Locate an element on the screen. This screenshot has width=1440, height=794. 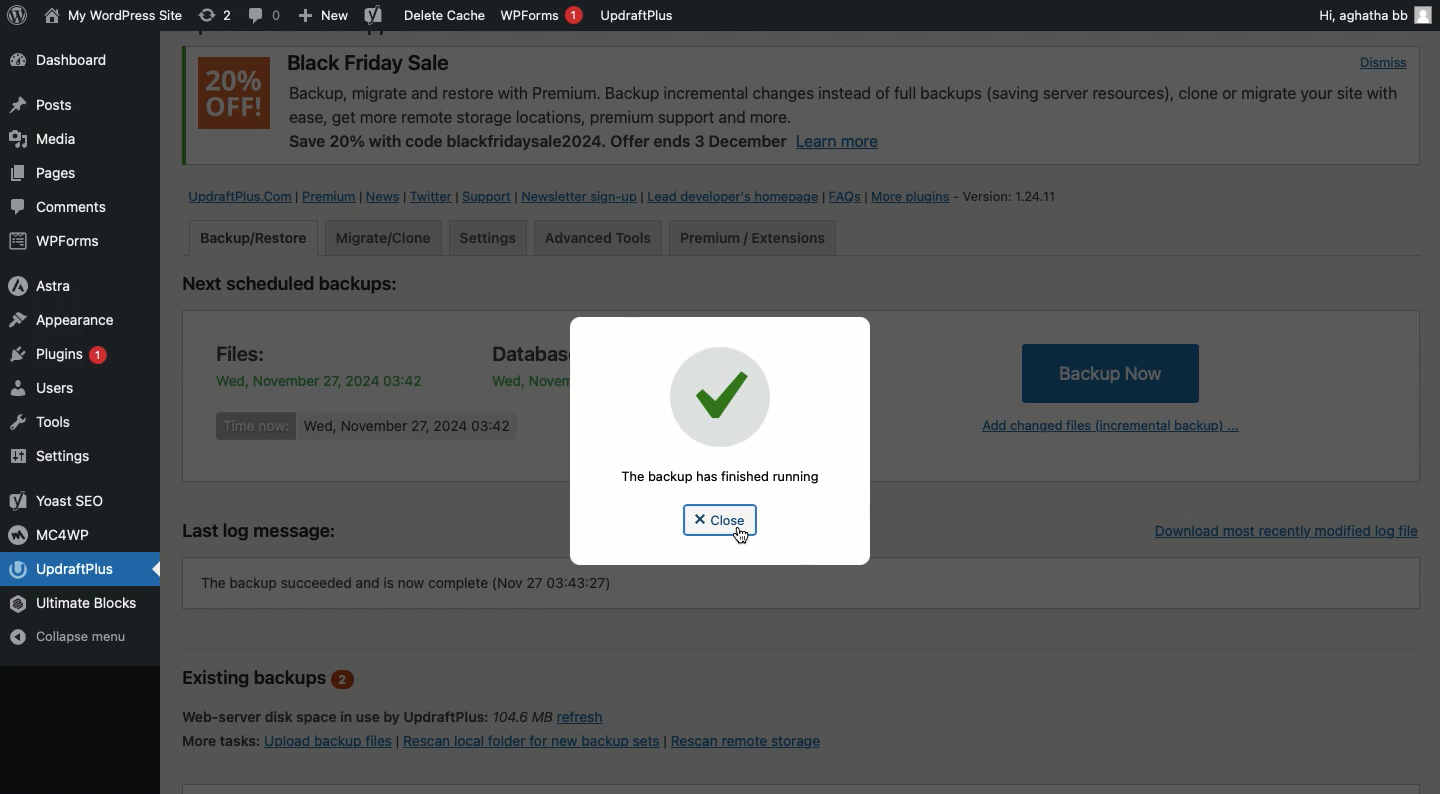
News is located at coordinates (384, 197).